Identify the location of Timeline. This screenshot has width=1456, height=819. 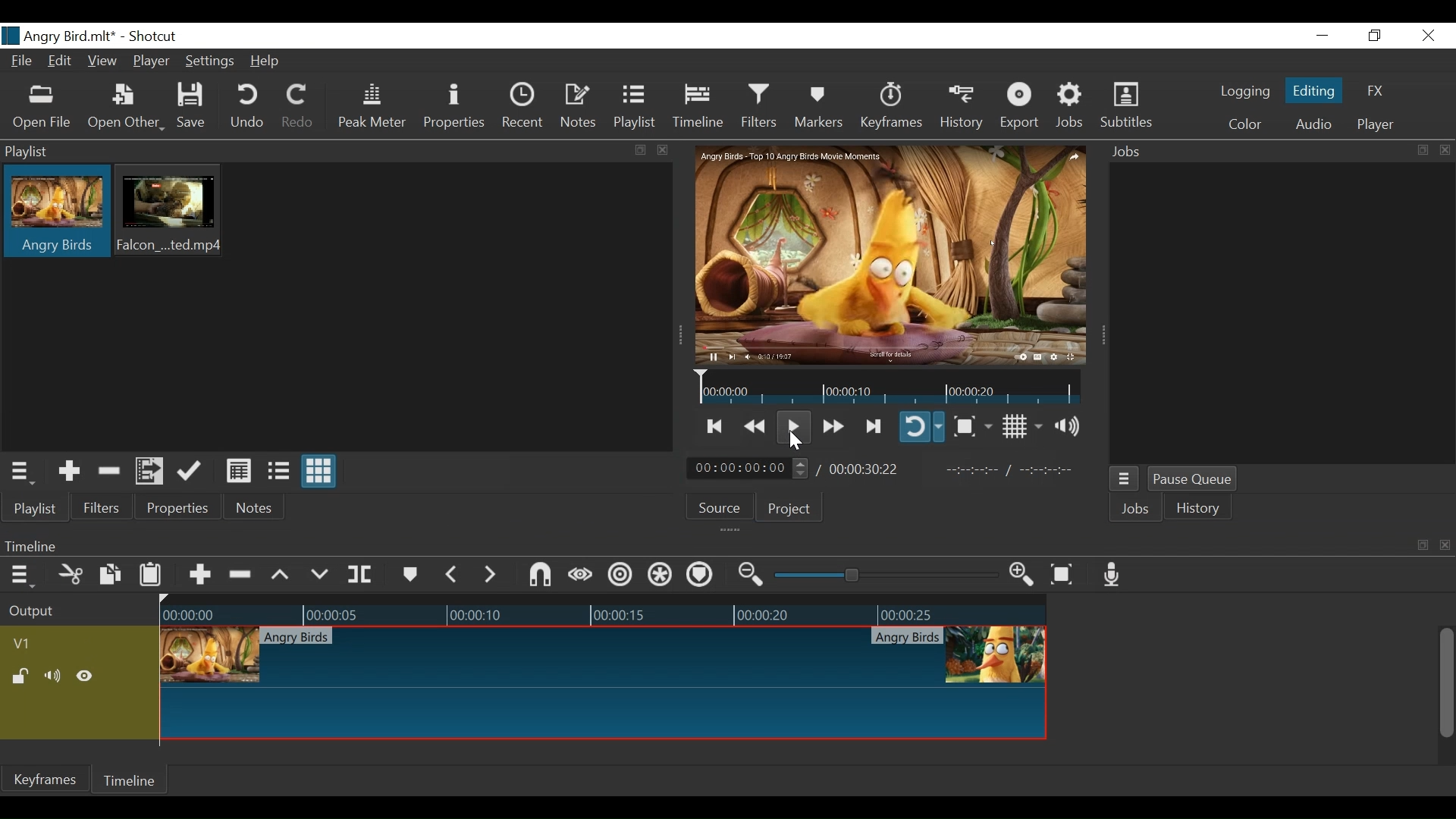
(890, 387).